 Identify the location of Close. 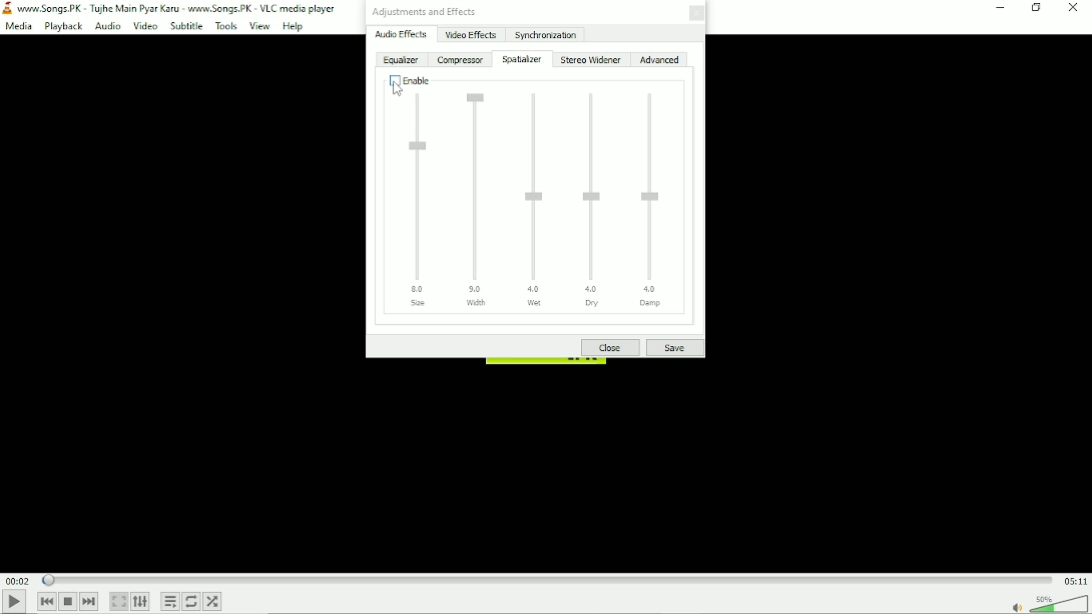
(611, 348).